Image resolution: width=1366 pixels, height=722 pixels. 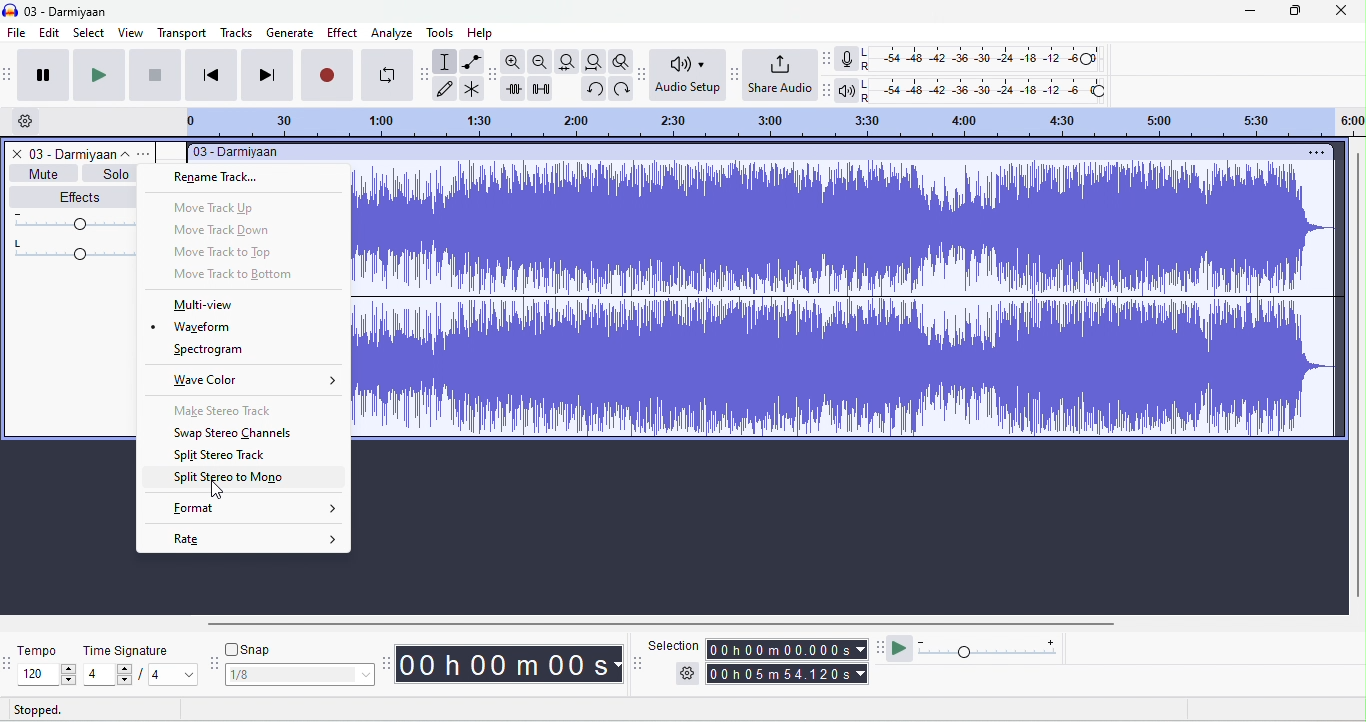 What do you see at coordinates (208, 306) in the screenshot?
I see `multiview` at bounding box center [208, 306].